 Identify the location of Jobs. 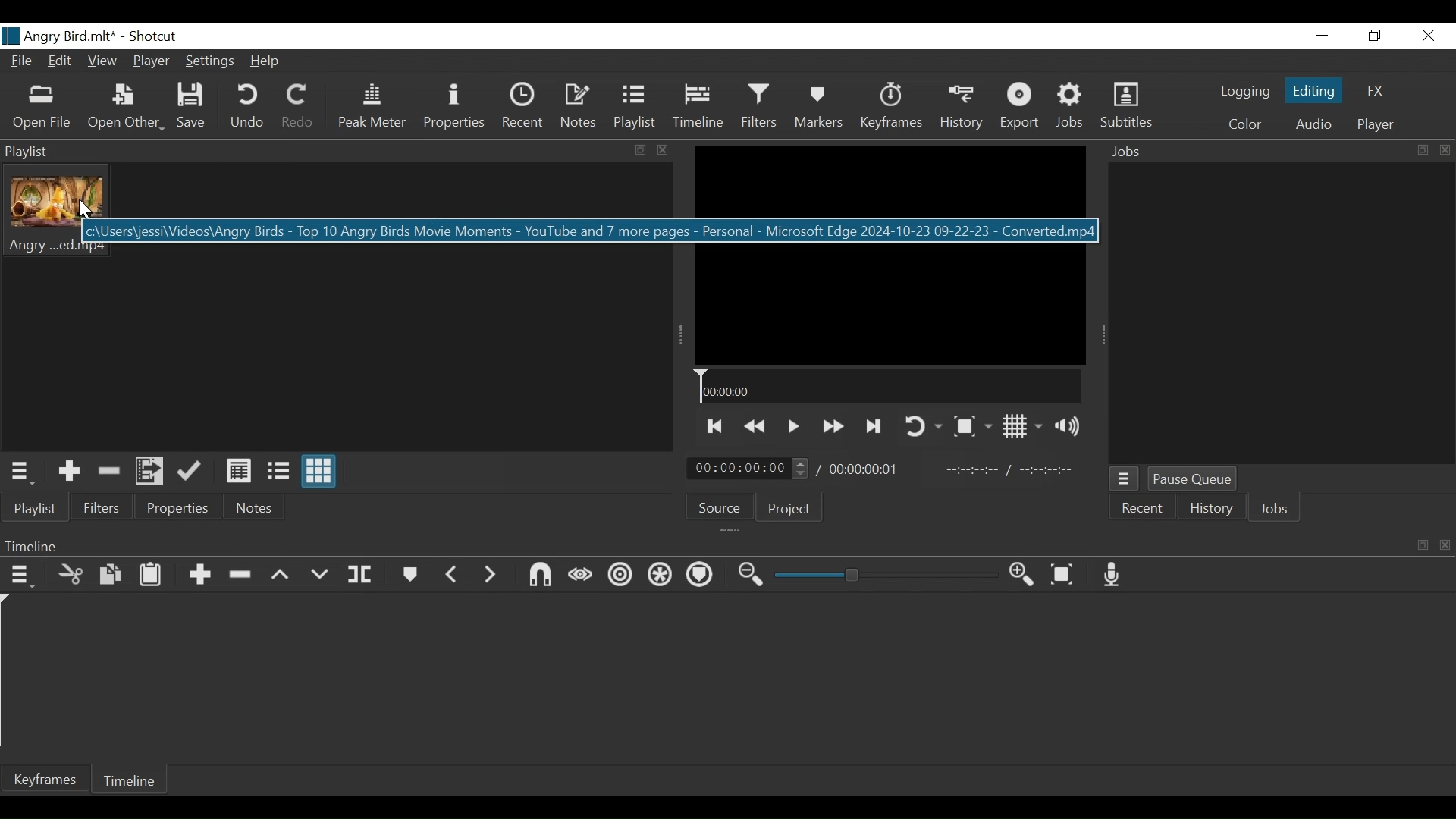
(1072, 107).